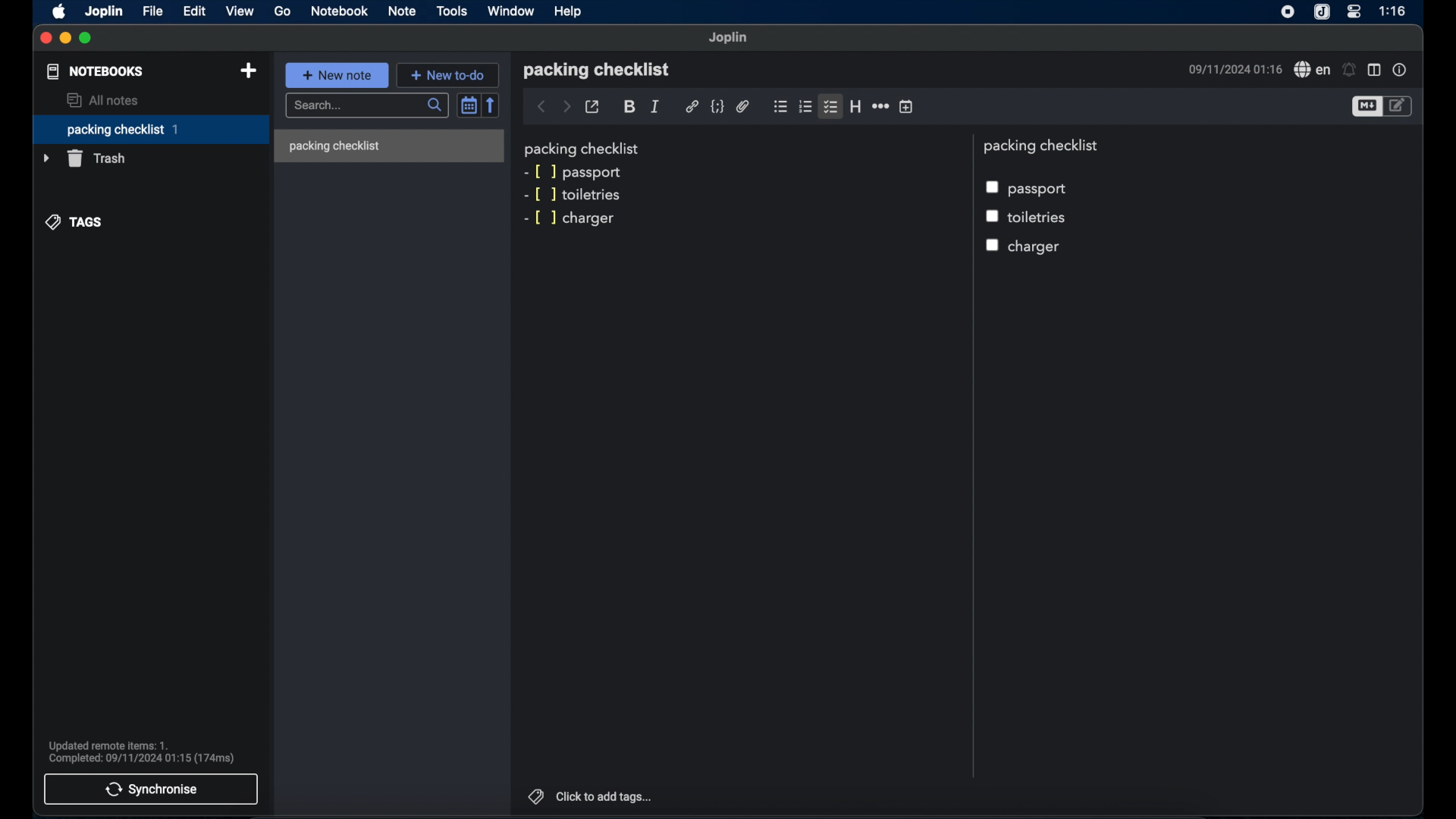 The width and height of the screenshot is (1456, 819). Describe the element at coordinates (339, 11) in the screenshot. I see `notebook` at that location.